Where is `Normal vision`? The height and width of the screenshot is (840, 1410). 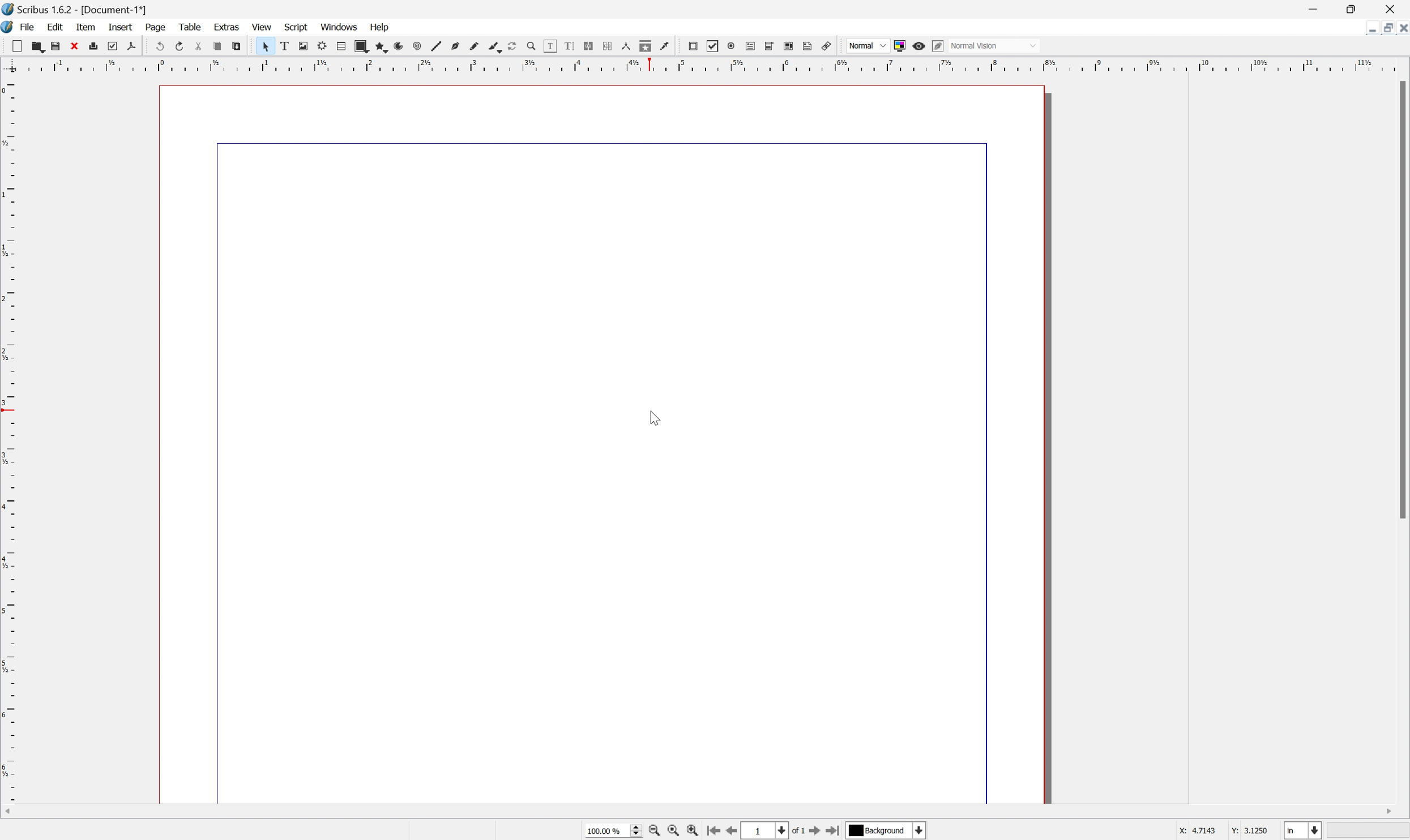 Normal vision is located at coordinates (1004, 45).